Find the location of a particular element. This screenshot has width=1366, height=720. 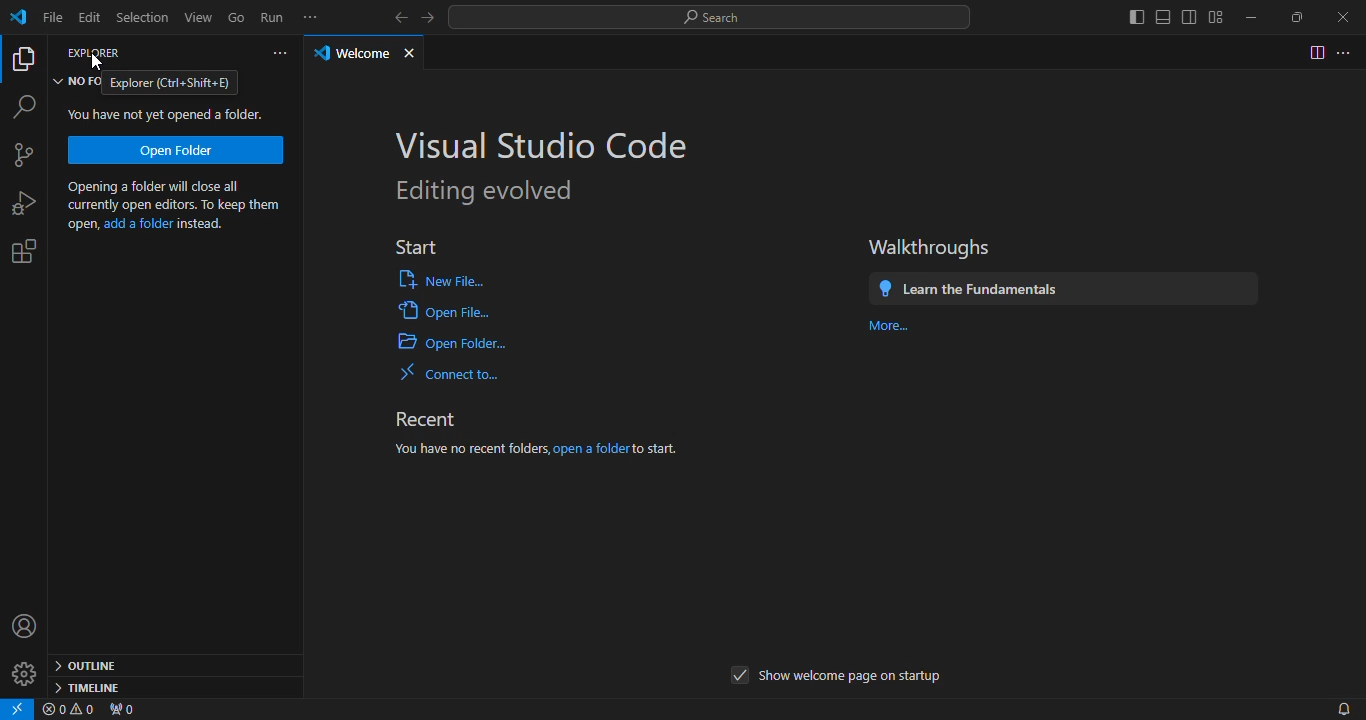

visual studio code is located at coordinates (544, 143).